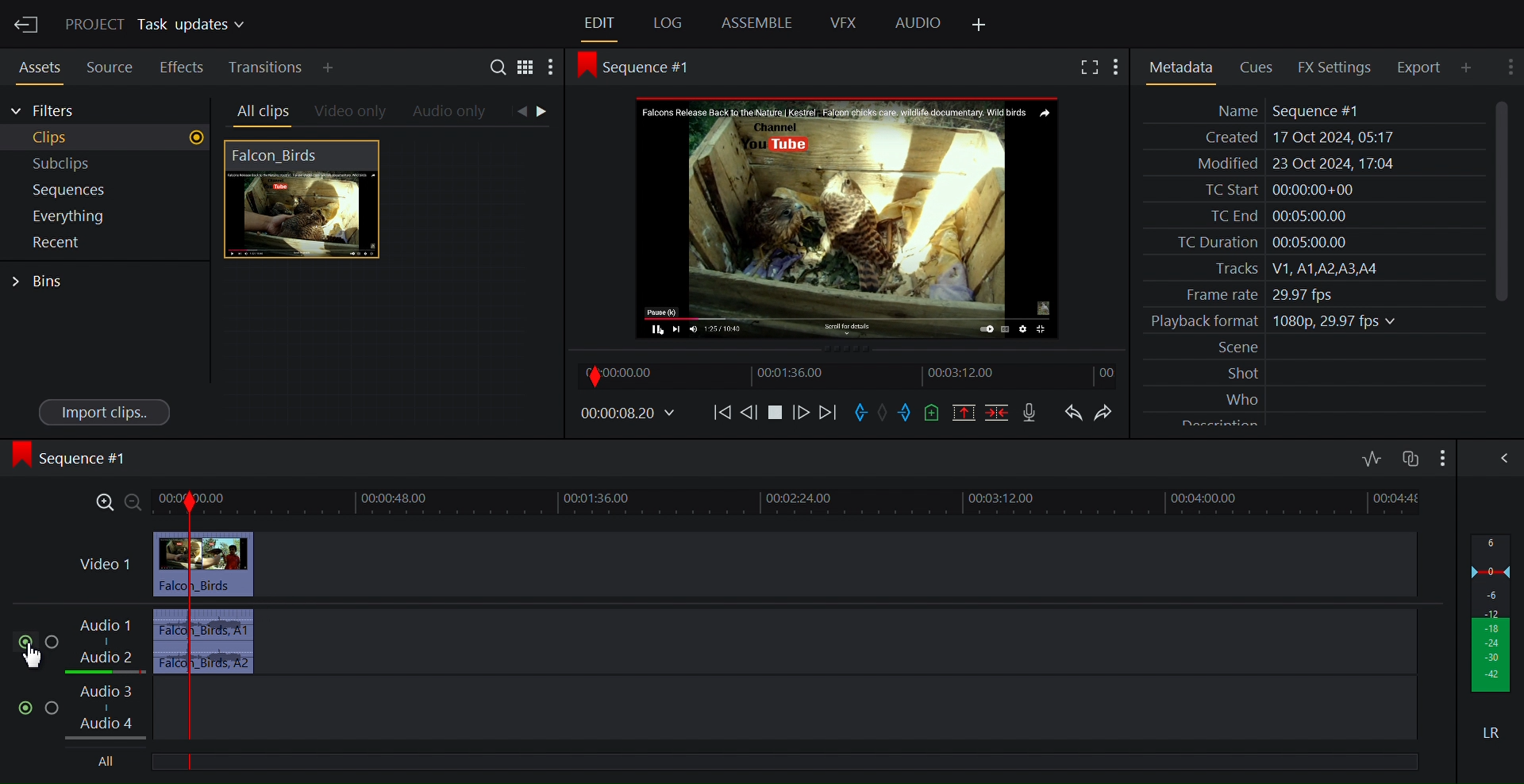 The image size is (1524, 784). I want to click on Timeline Indicator, so click(188, 633).